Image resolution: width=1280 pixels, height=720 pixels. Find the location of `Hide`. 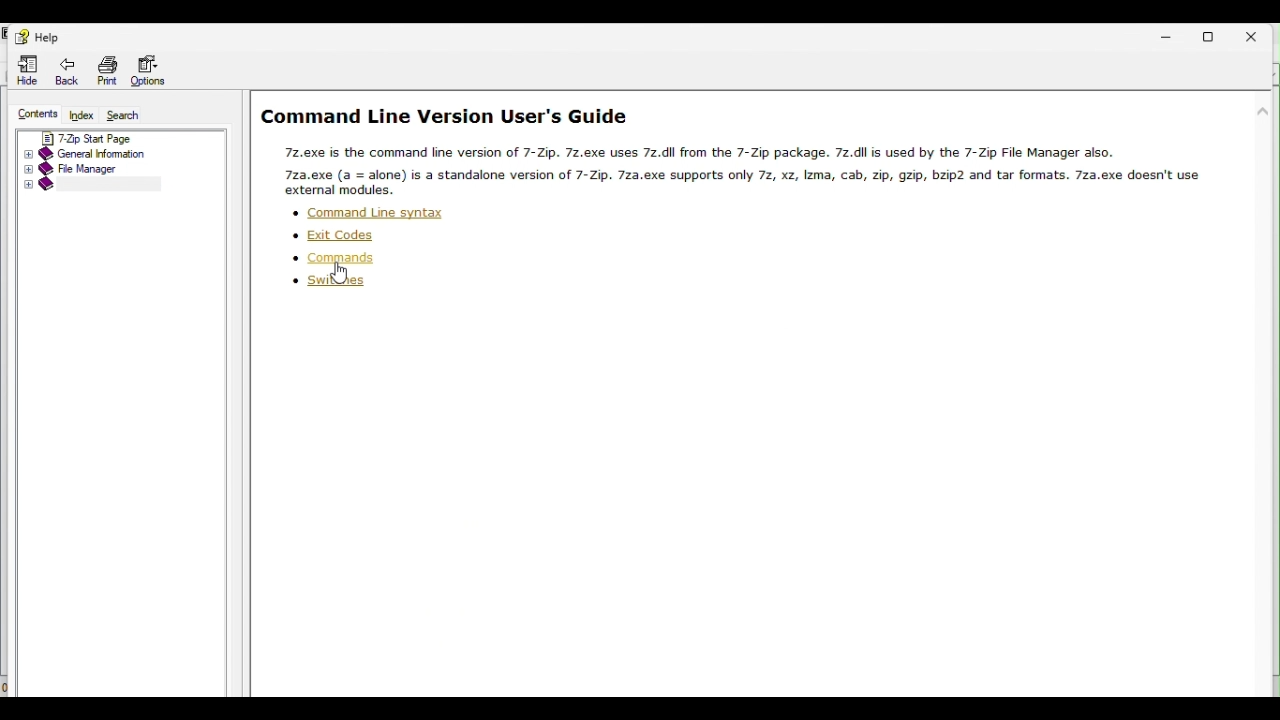

Hide is located at coordinates (27, 73).